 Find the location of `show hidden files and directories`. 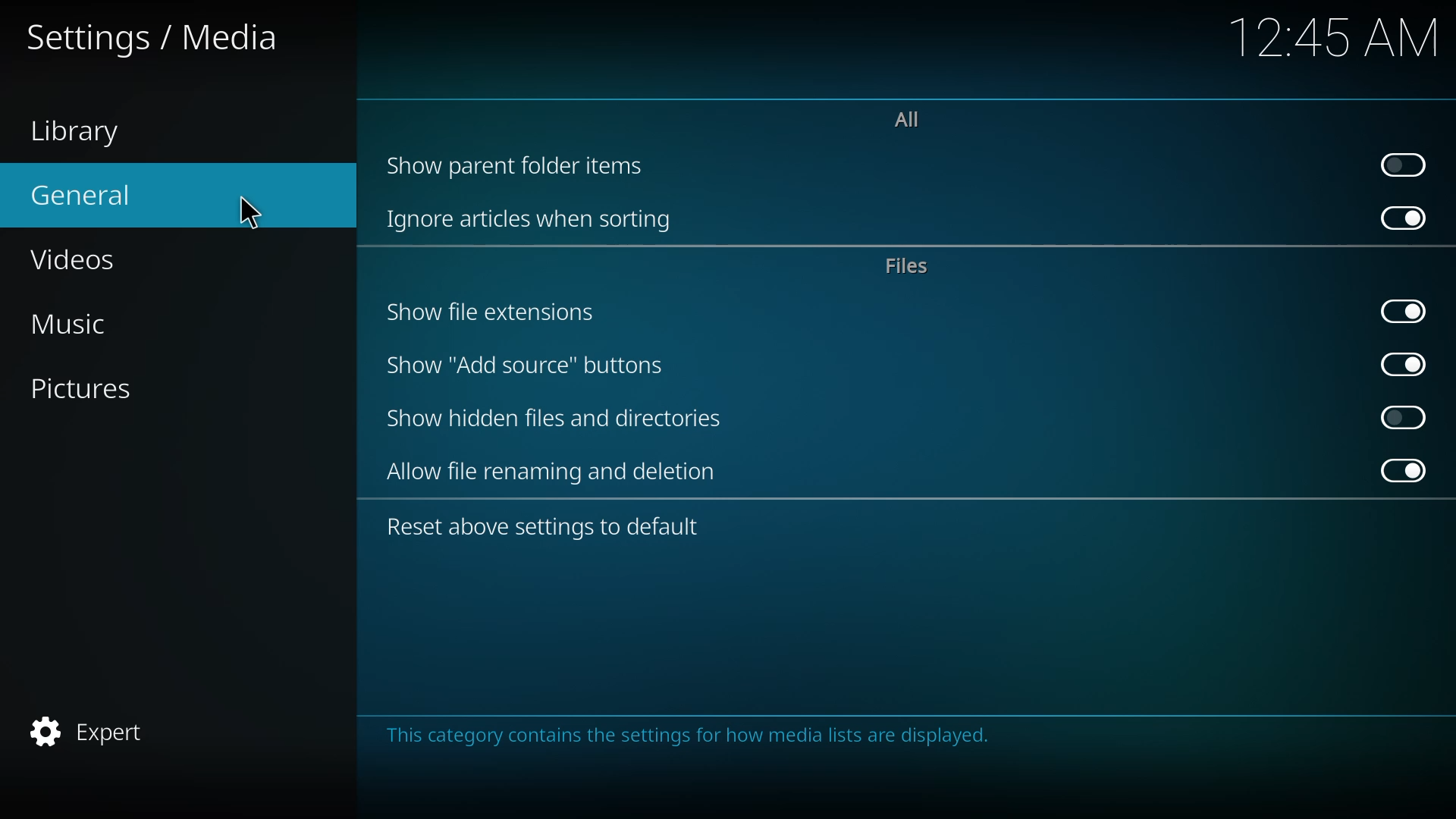

show hidden files and directories is located at coordinates (552, 419).